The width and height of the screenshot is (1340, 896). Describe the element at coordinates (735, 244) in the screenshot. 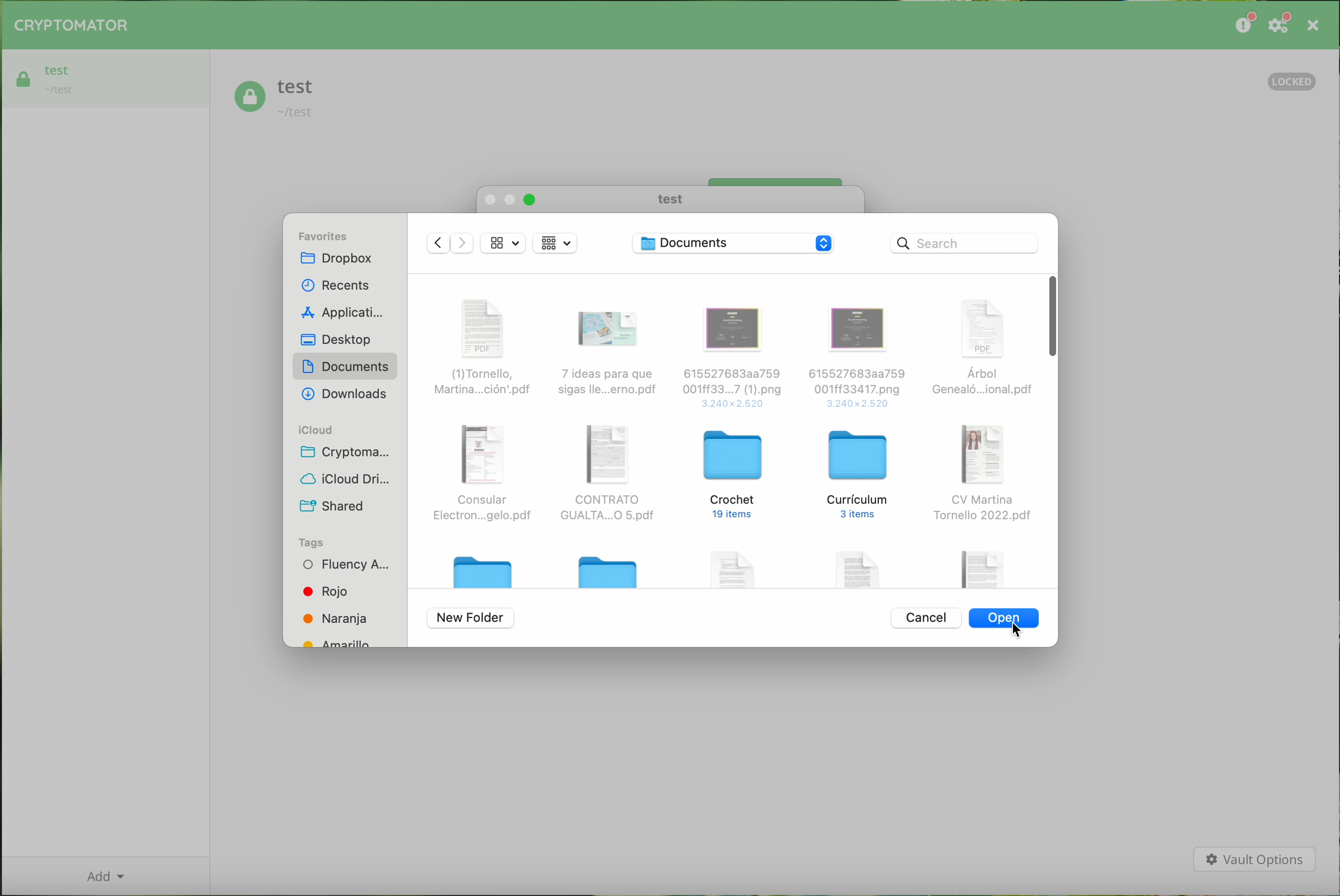

I see `Documents` at that location.